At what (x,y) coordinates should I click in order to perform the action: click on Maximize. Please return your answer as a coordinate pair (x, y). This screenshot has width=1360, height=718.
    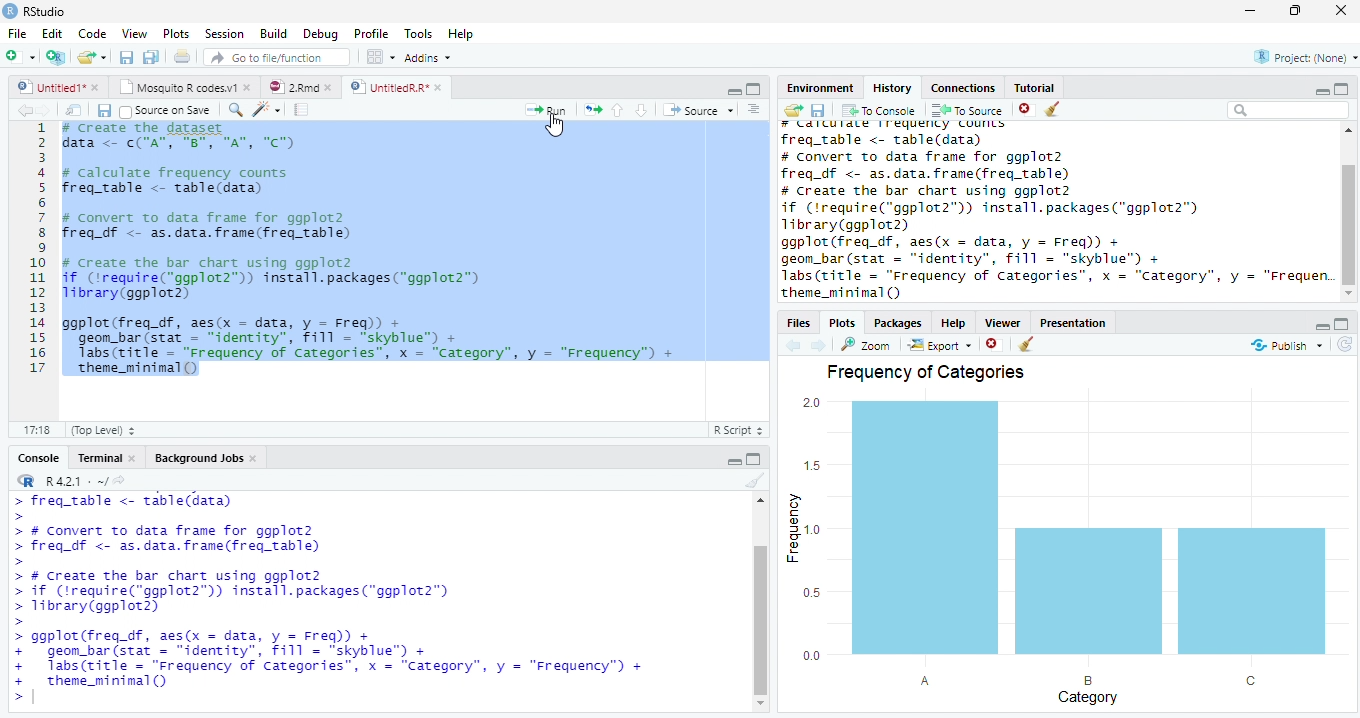
    Looking at the image, I should click on (756, 461).